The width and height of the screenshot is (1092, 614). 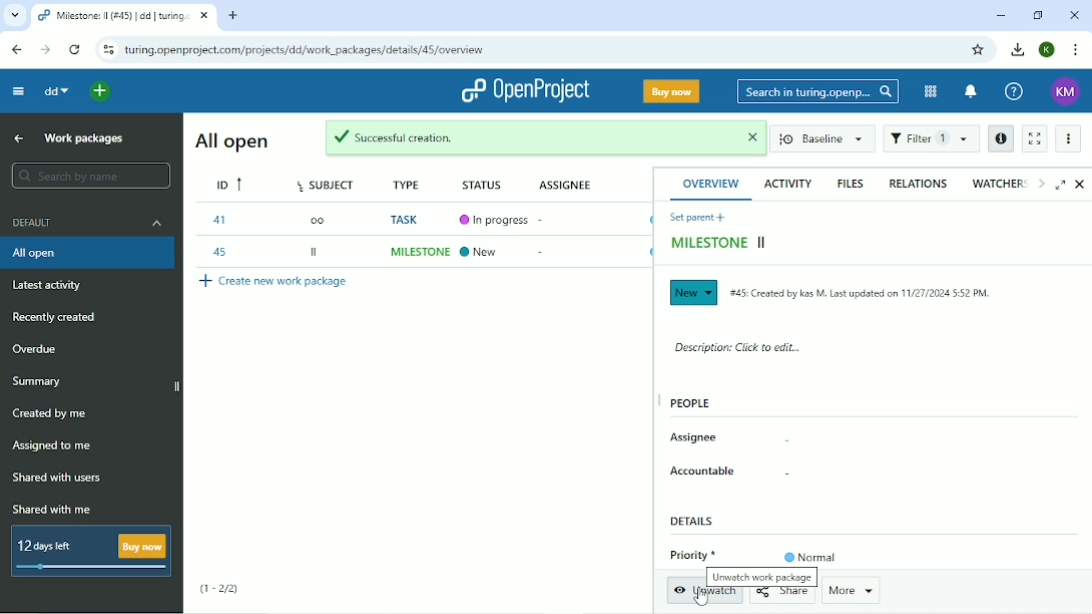 What do you see at coordinates (1000, 17) in the screenshot?
I see `Minimize` at bounding box center [1000, 17].